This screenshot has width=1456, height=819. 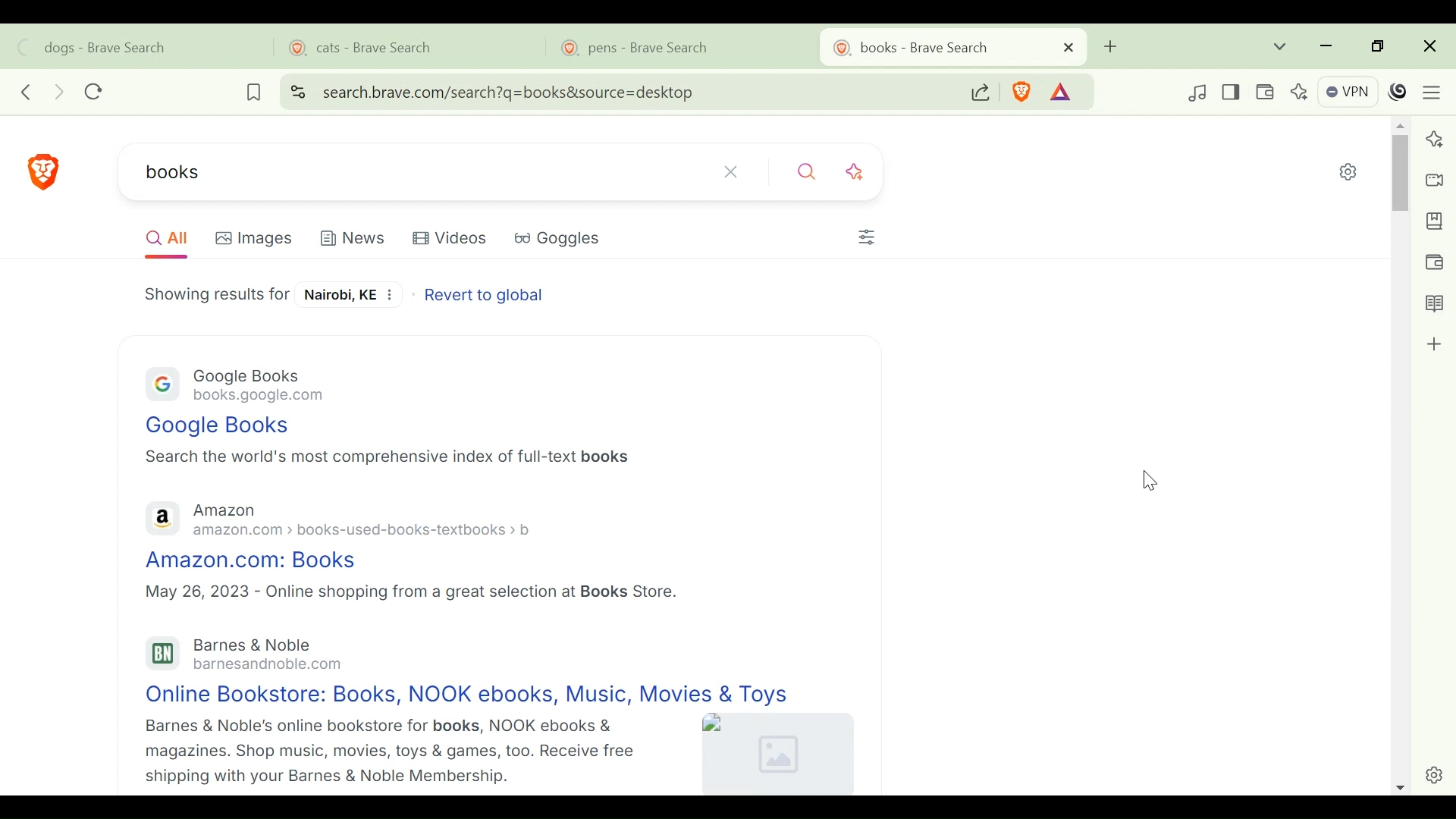 What do you see at coordinates (1150, 479) in the screenshot?
I see `Cursor` at bounding box center [1150, 479].